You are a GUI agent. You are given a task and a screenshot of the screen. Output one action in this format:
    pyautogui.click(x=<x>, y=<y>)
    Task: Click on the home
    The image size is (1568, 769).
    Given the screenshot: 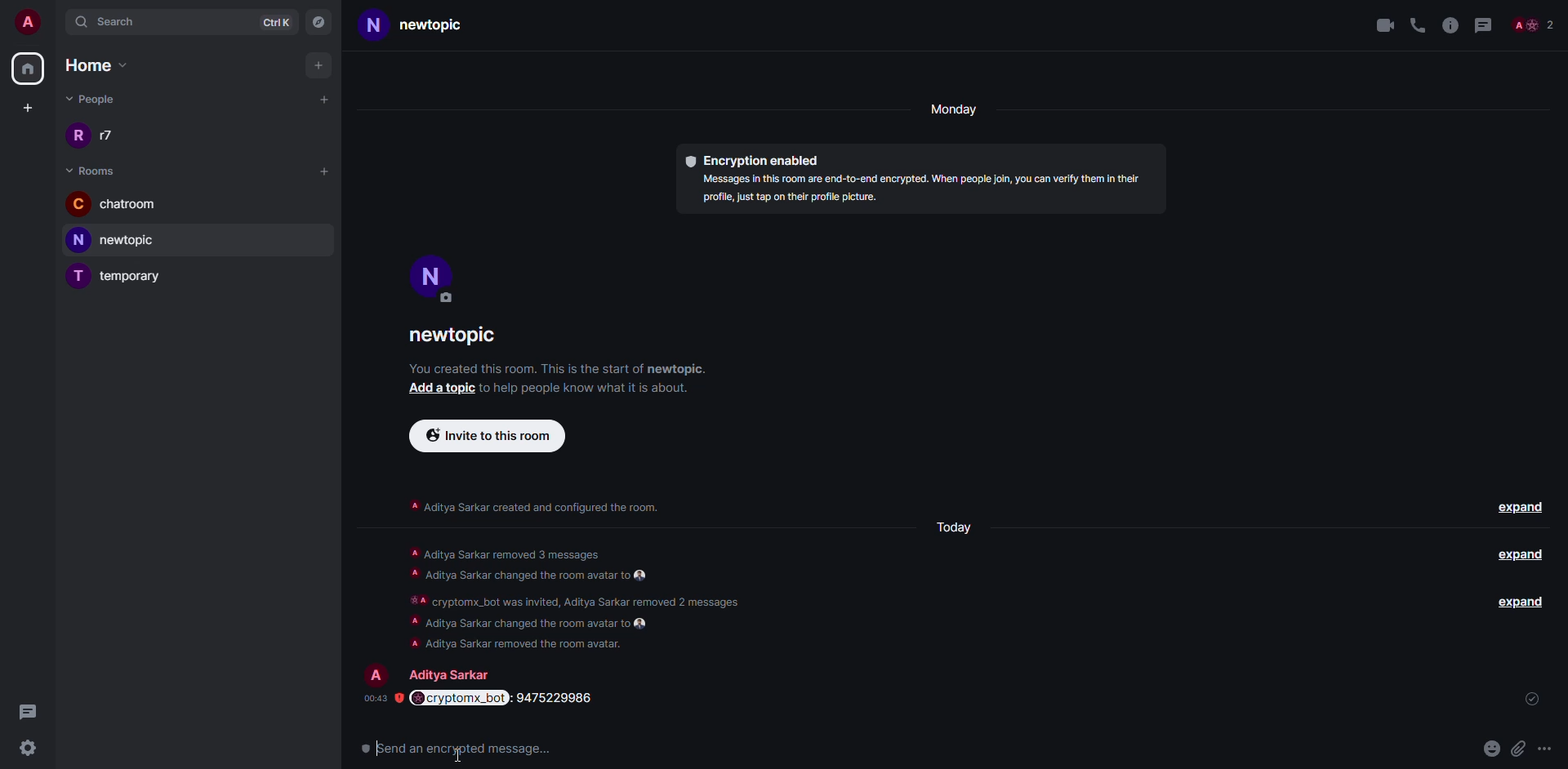 What is the action you would take?
    pyautogui.click(x=106, y=65)
    